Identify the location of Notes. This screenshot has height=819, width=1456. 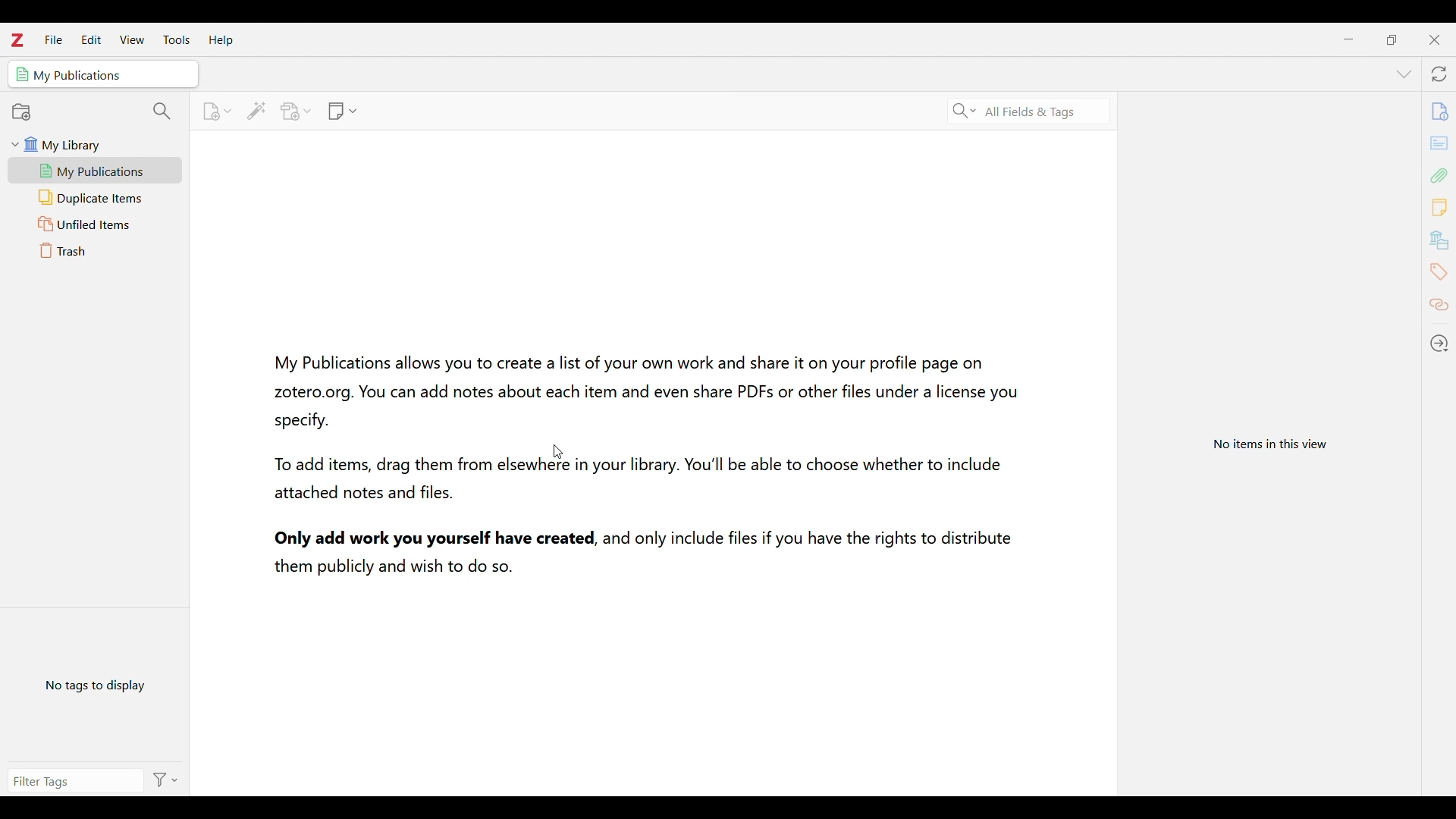
(1440, 207).